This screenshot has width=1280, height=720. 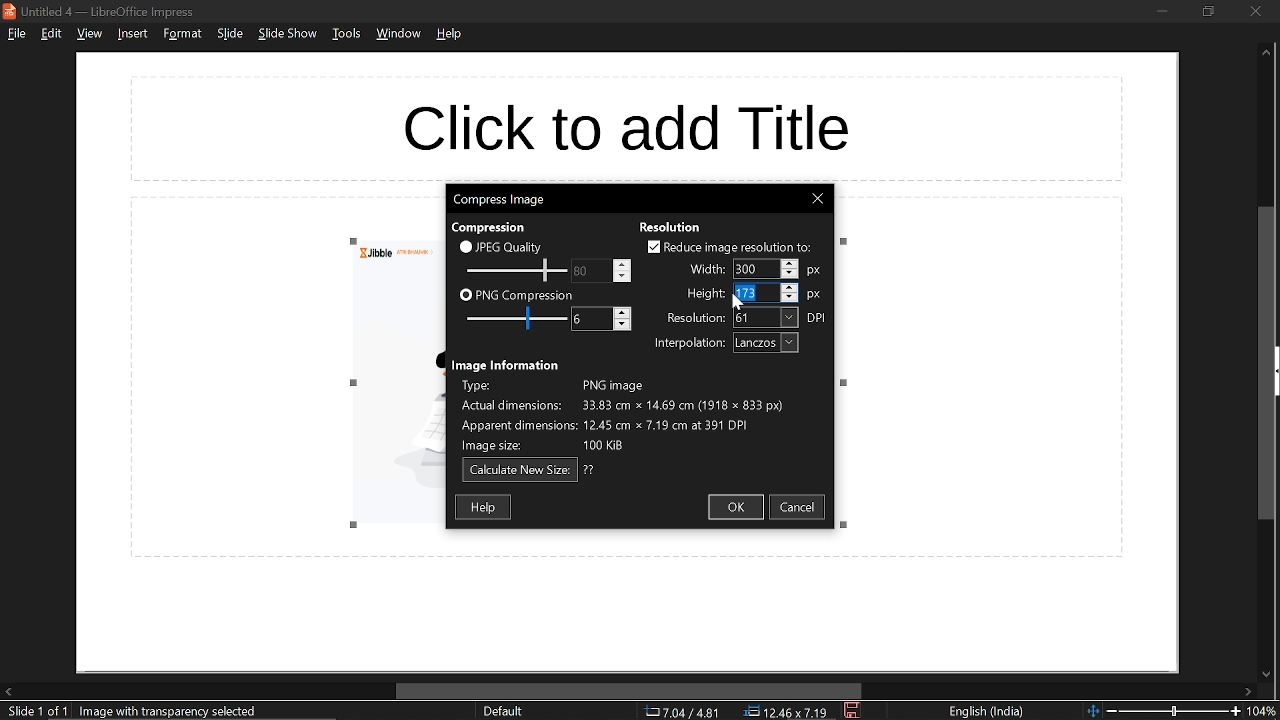 What do you see at coordinates (1210, 12) in the screenshot?
I see `restore down` at bounding box center [1210, 12].